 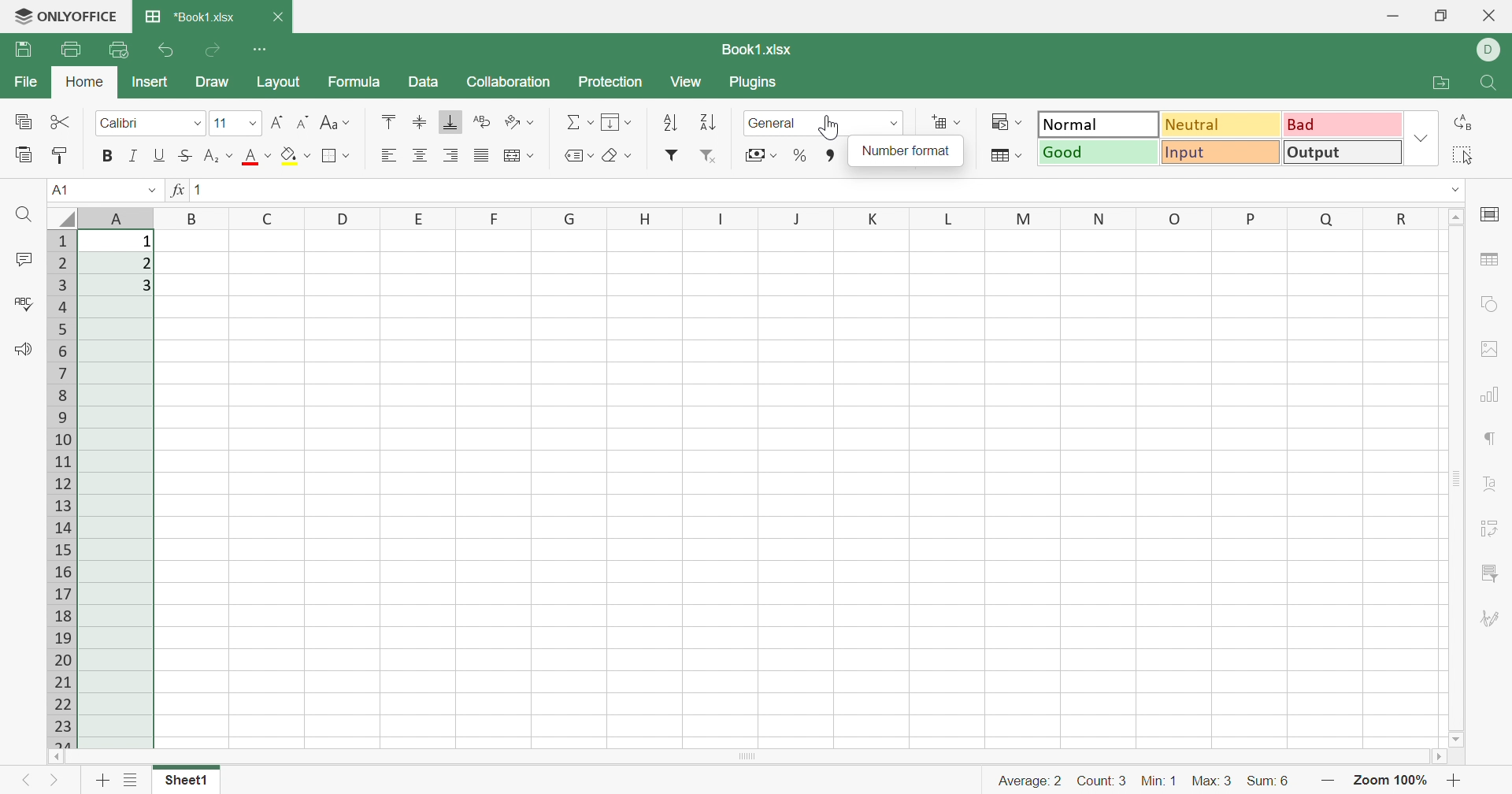 What do you see at coordinates (132, 778) in the screenshot?
I see `List of sheets` at bounding box center [132, 778].